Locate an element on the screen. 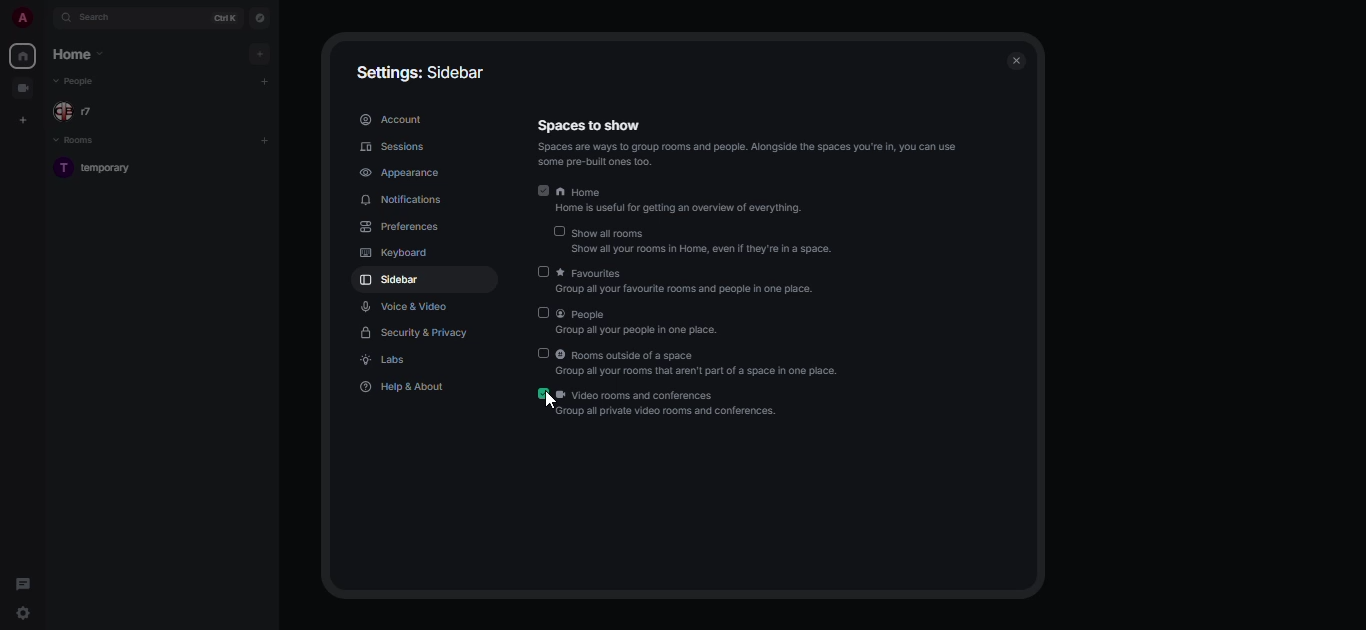  favorites is located at coordinates (693, 282).